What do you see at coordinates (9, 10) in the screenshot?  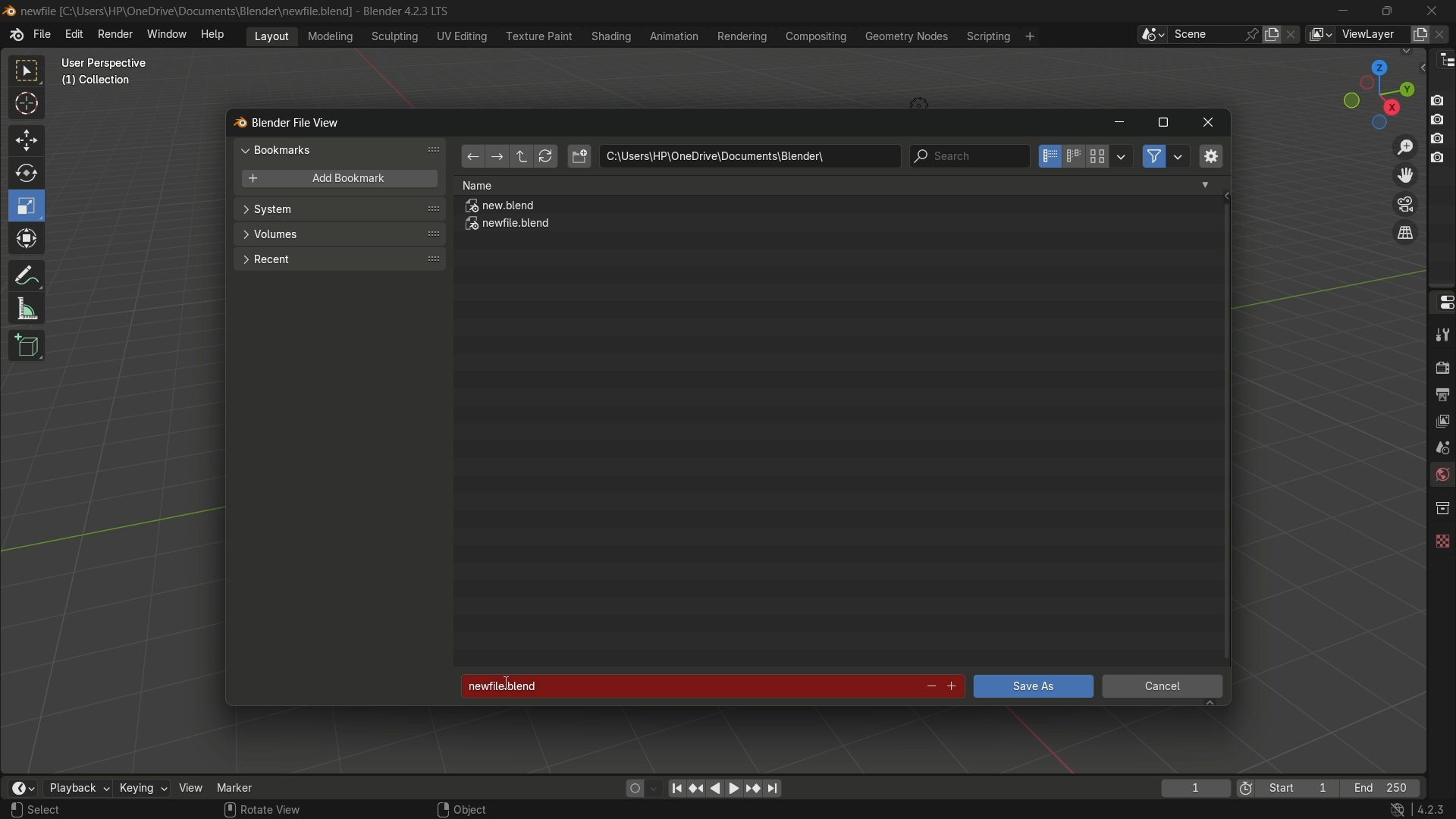 I see `Blend` at bounding box center [9, 10].